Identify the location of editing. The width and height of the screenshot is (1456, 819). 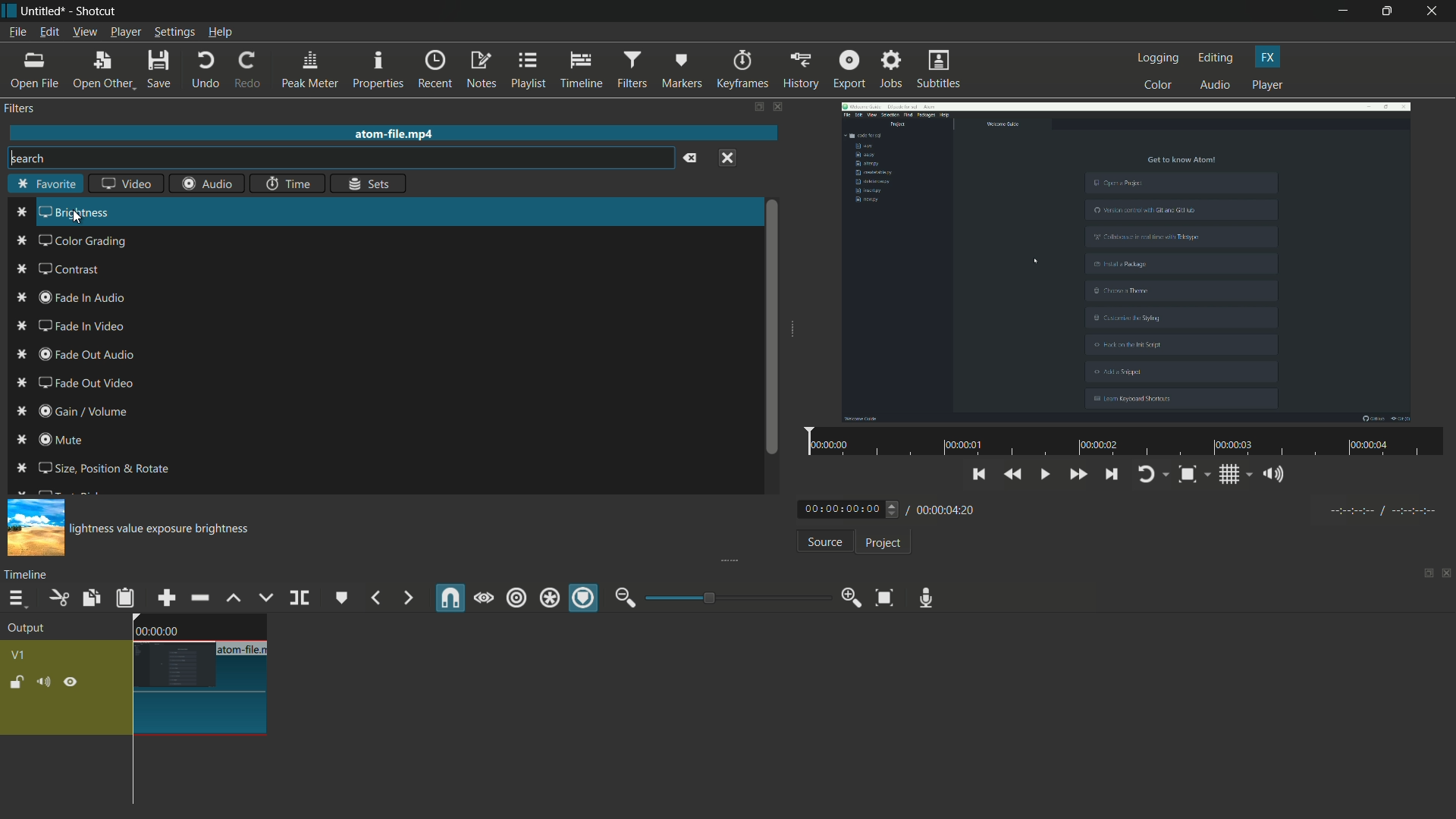
(1216, 58).